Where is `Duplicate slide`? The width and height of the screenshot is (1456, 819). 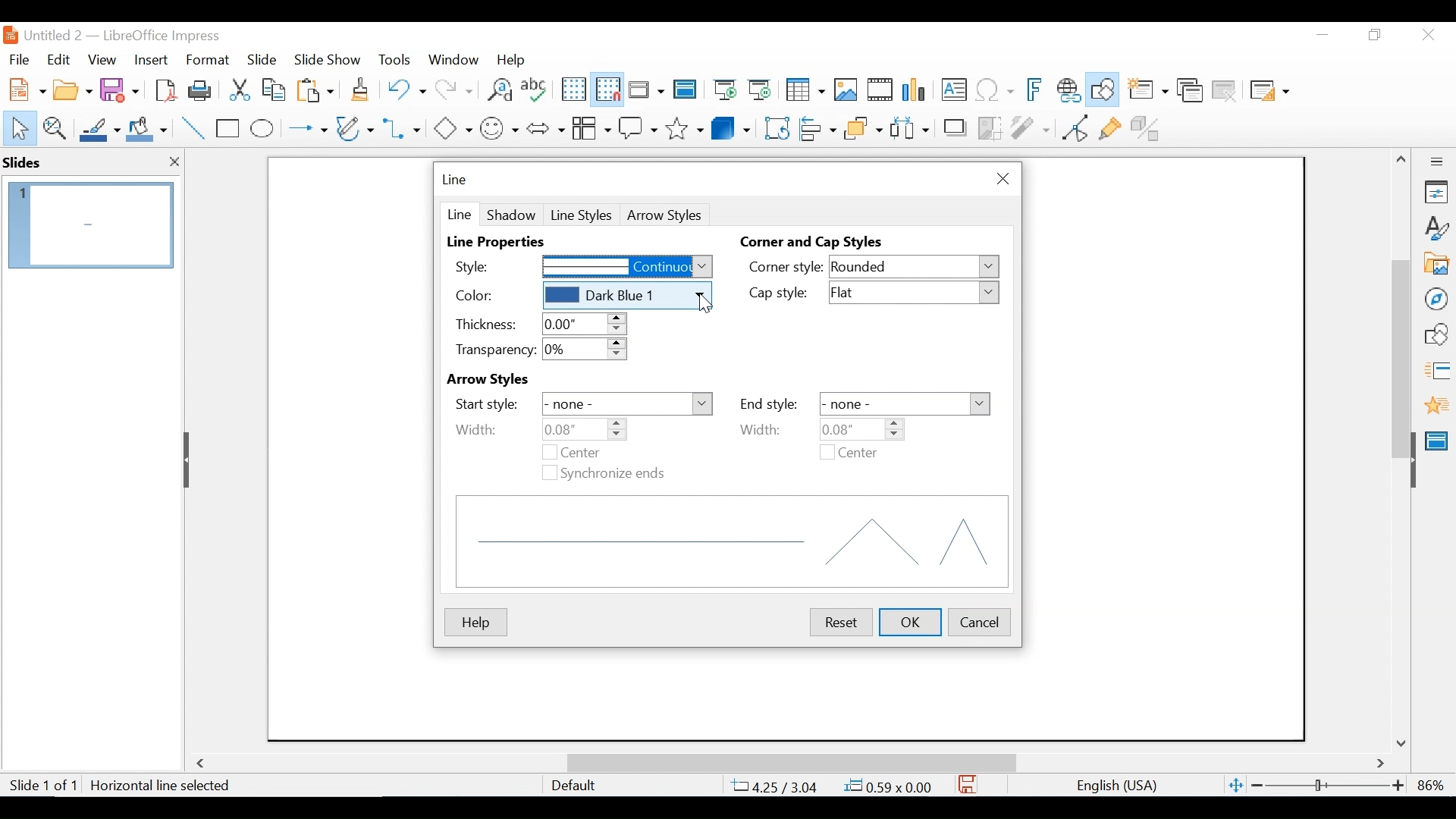 Duplicate slide is located at coordinates (1190, 91).